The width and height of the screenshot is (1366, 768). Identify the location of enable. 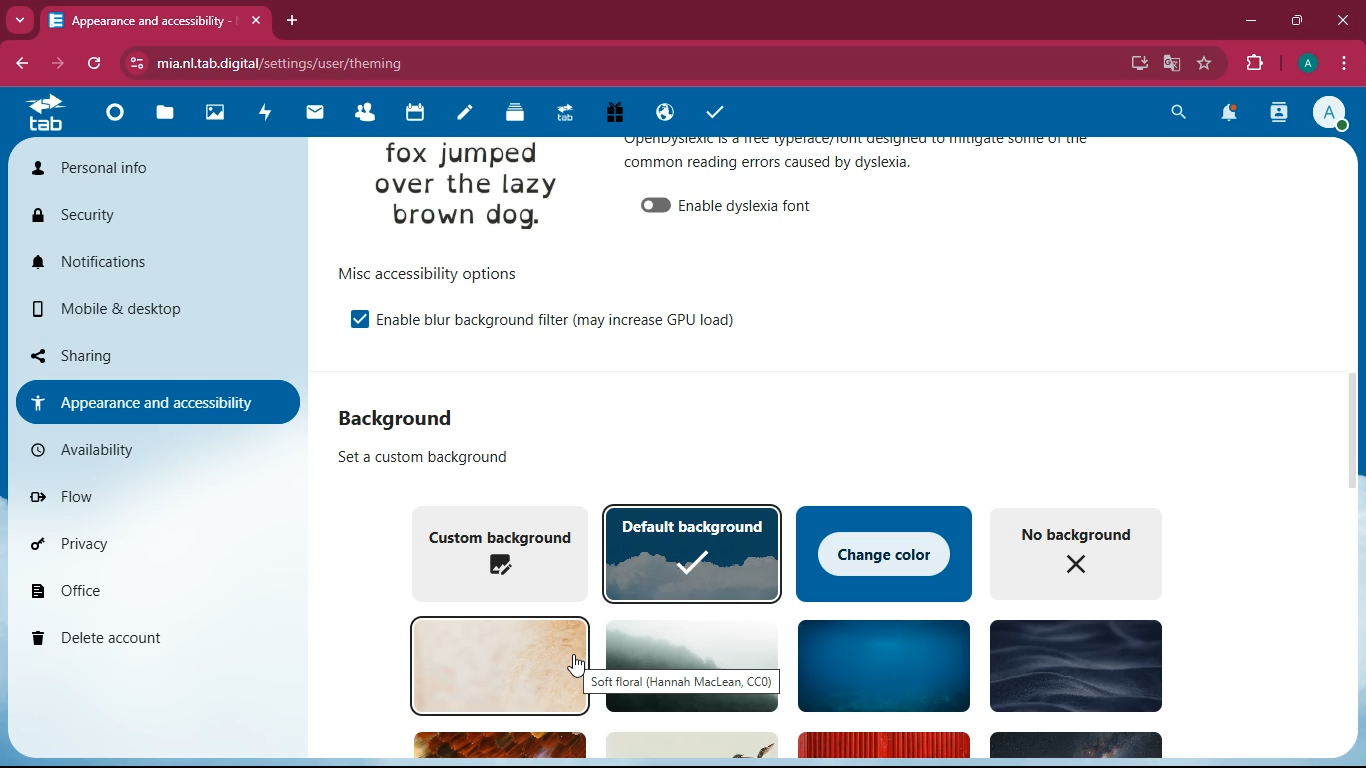
(760, 207).